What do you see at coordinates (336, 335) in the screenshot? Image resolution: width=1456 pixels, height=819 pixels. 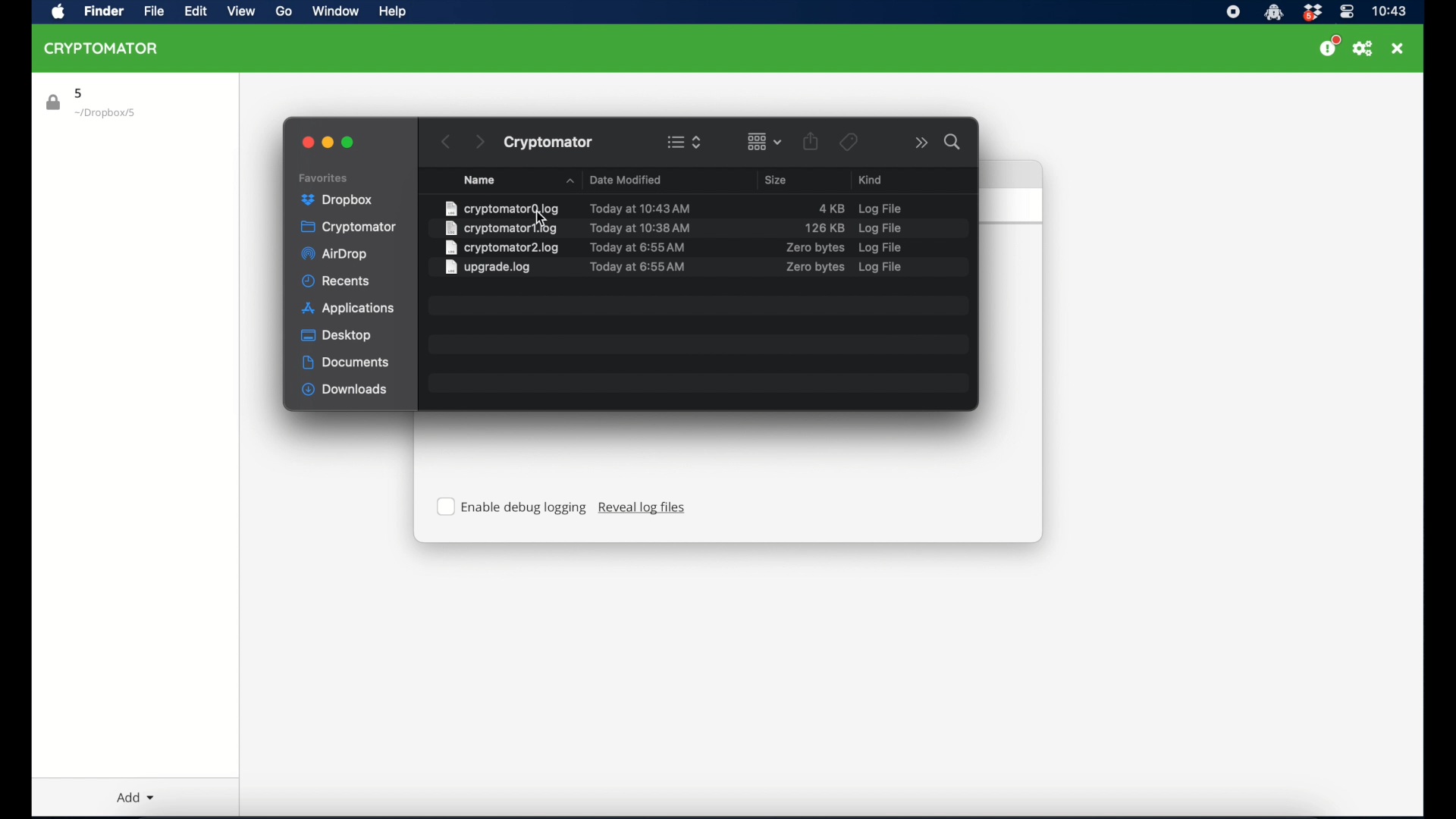 I see `desktop` at bounding box center [336, 335].